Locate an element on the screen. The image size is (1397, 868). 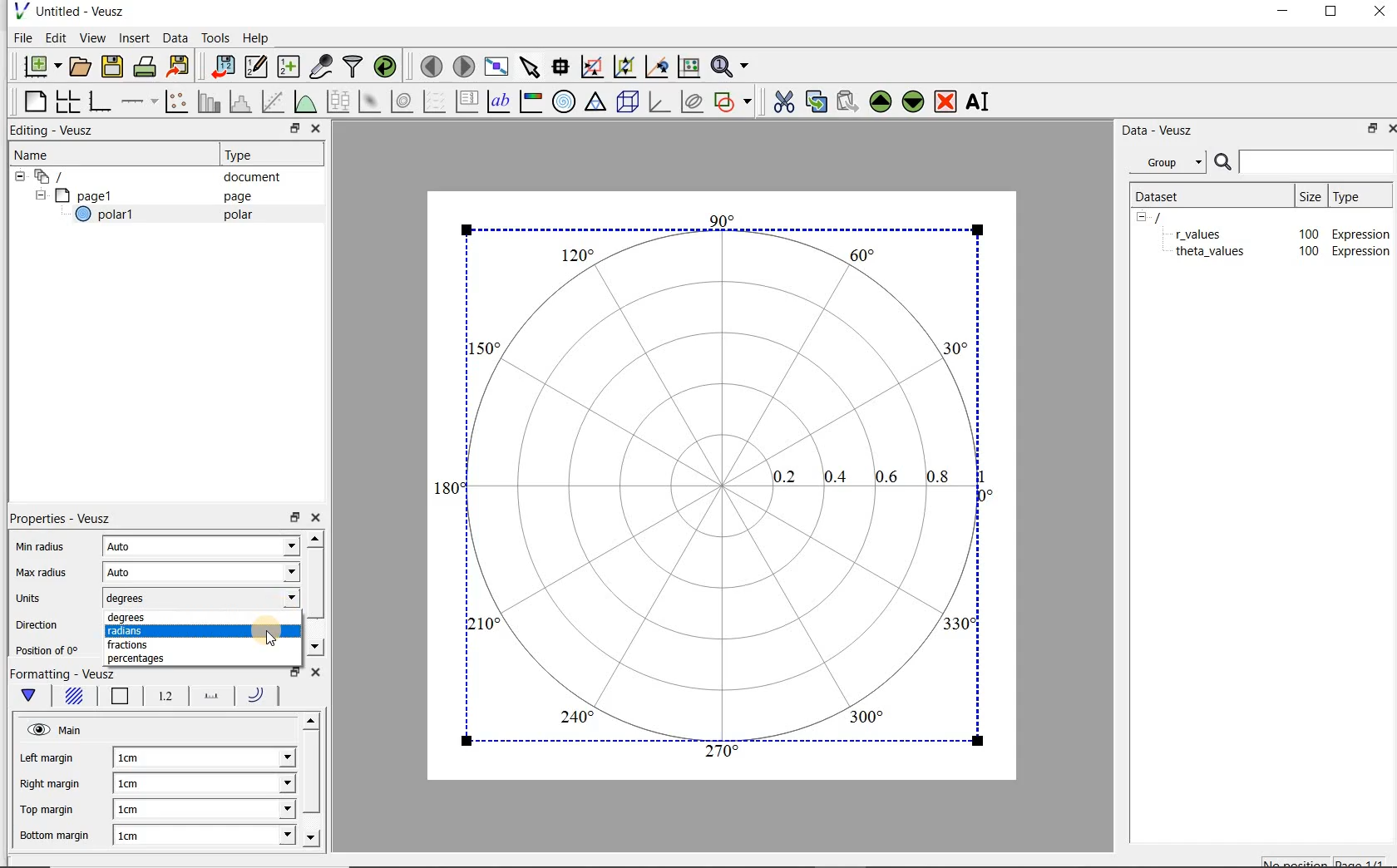
Document widget is located at coordinates (78, 176).